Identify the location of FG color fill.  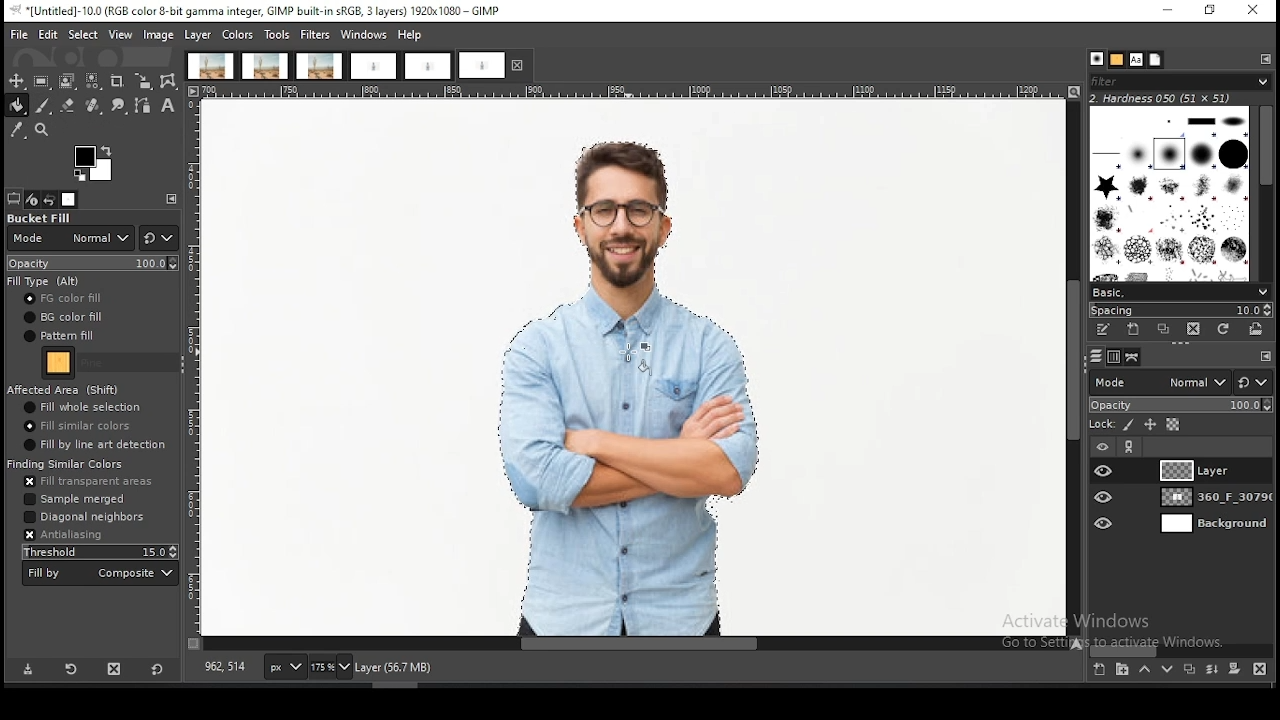
(61, 299).